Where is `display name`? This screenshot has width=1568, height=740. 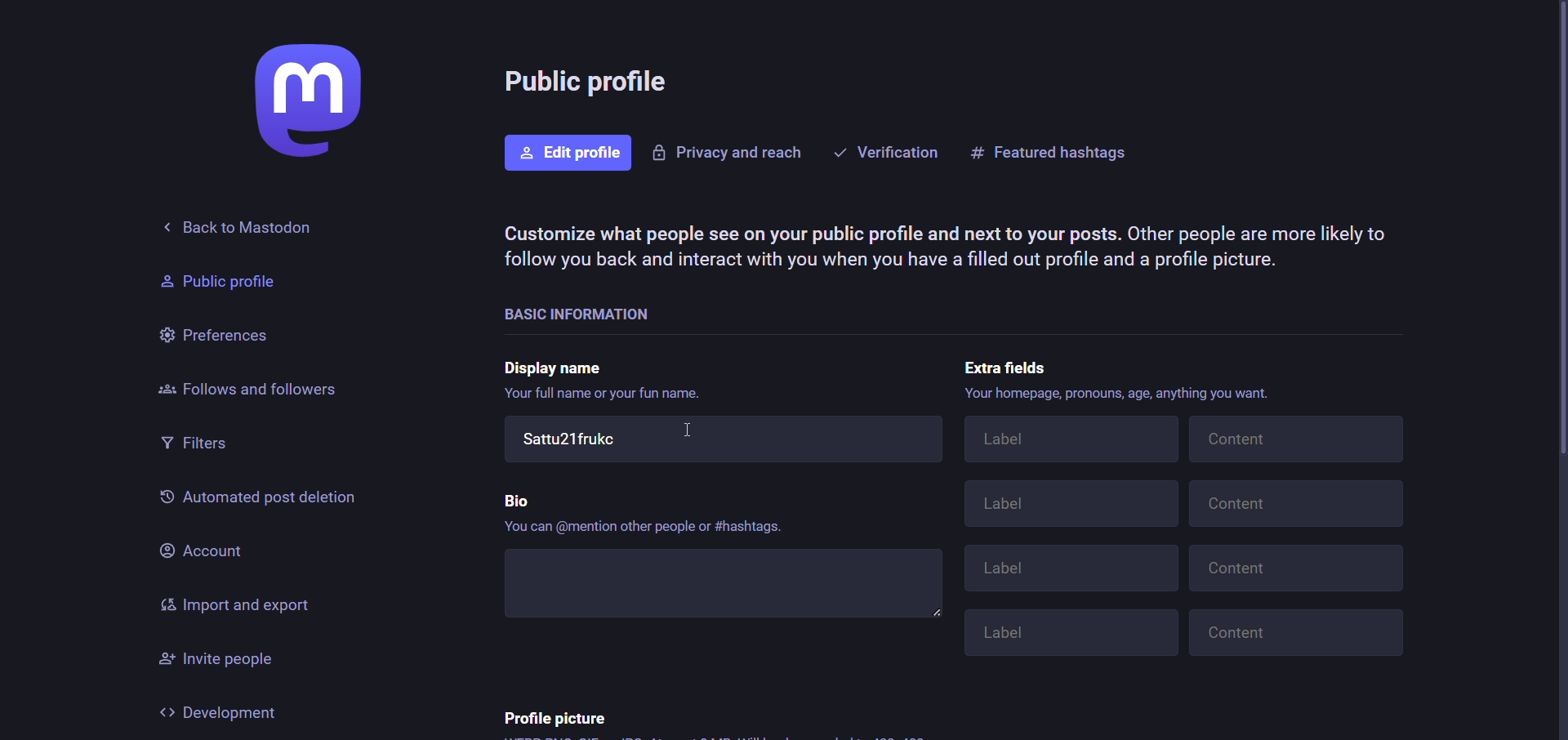
display name is located at coordinates (558, 366).